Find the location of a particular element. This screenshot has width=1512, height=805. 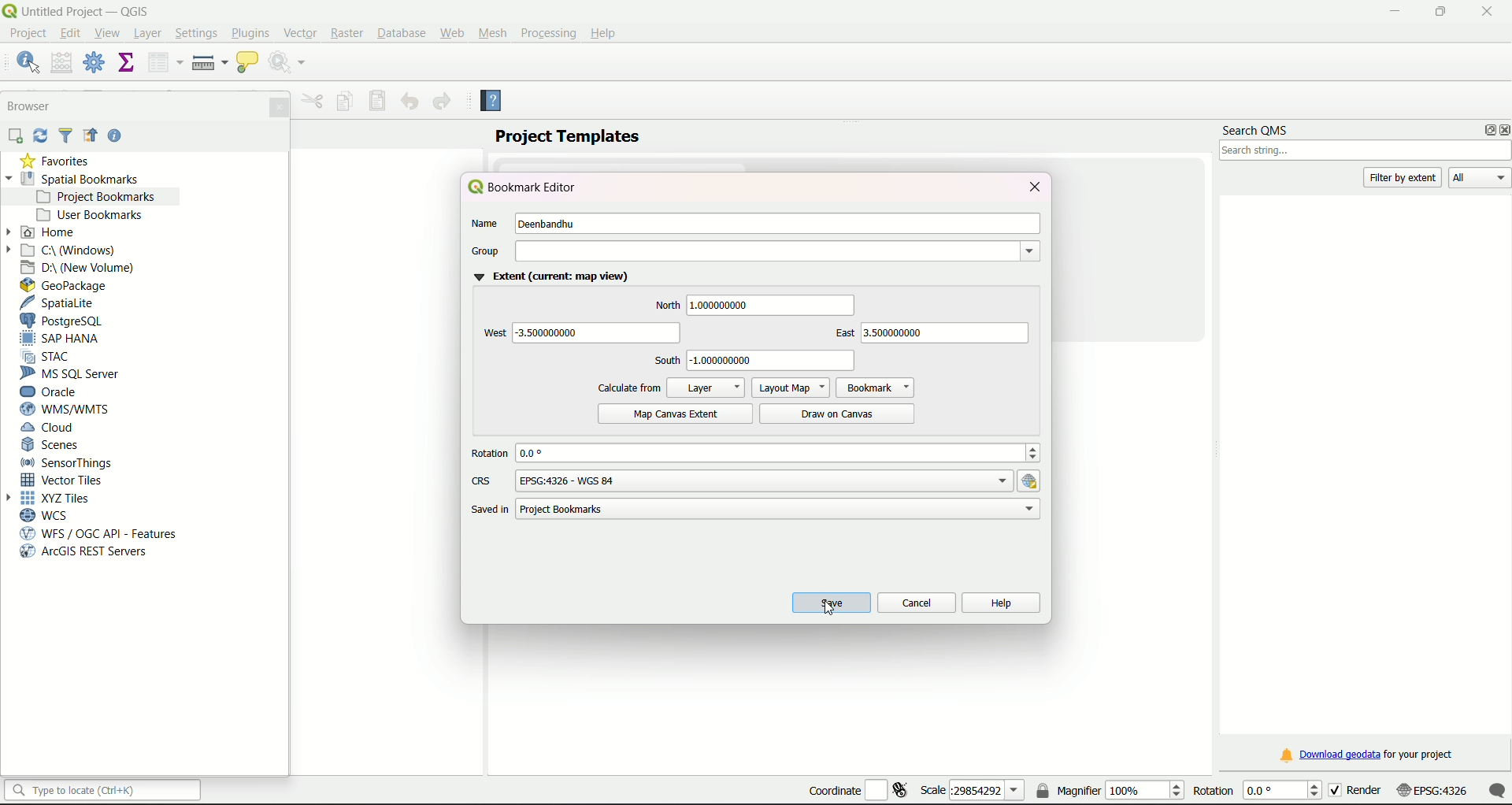

add is located at coordinates (14, 136).